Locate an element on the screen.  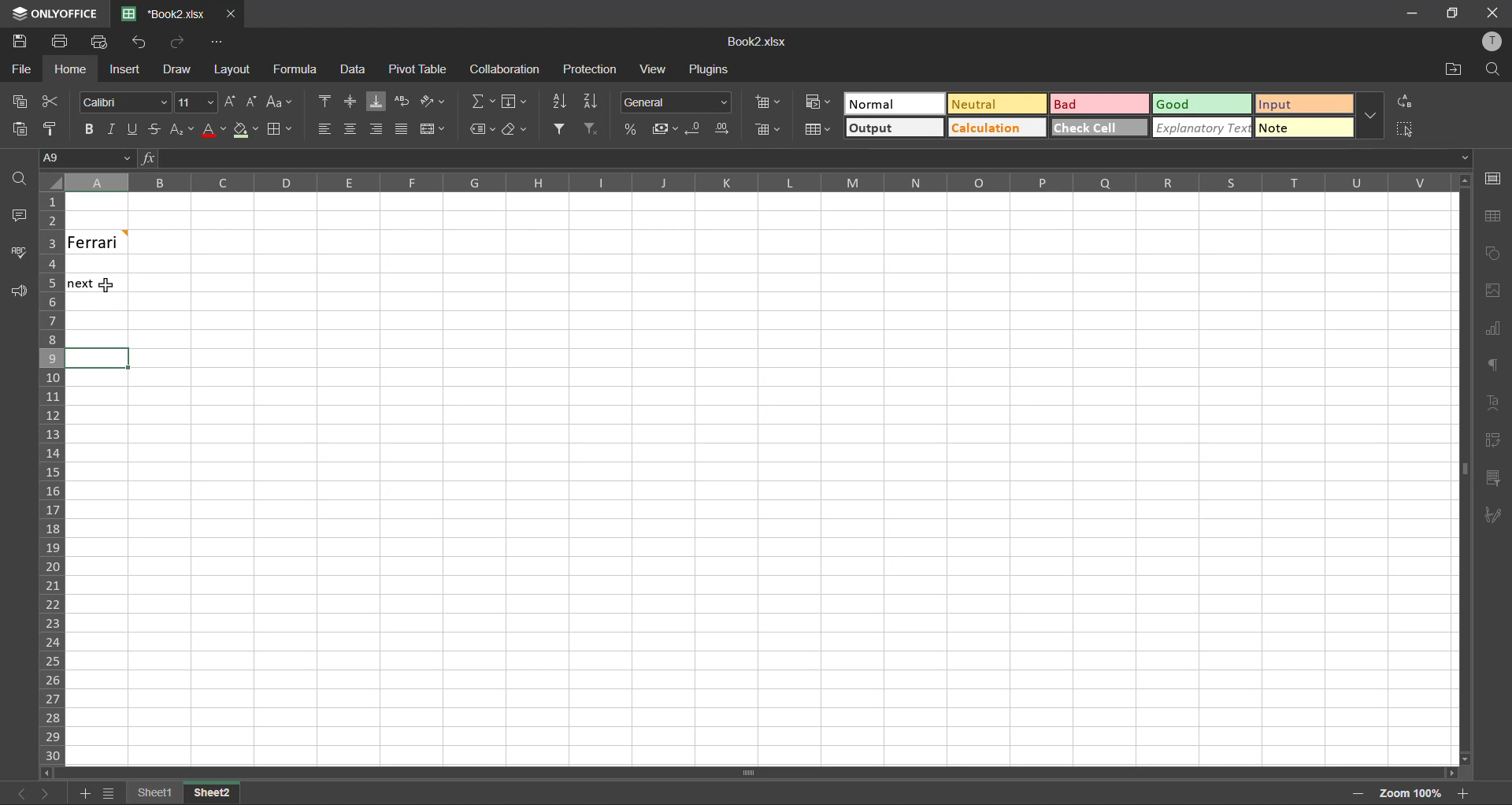
ferrari is located at coordinates (96, 242).